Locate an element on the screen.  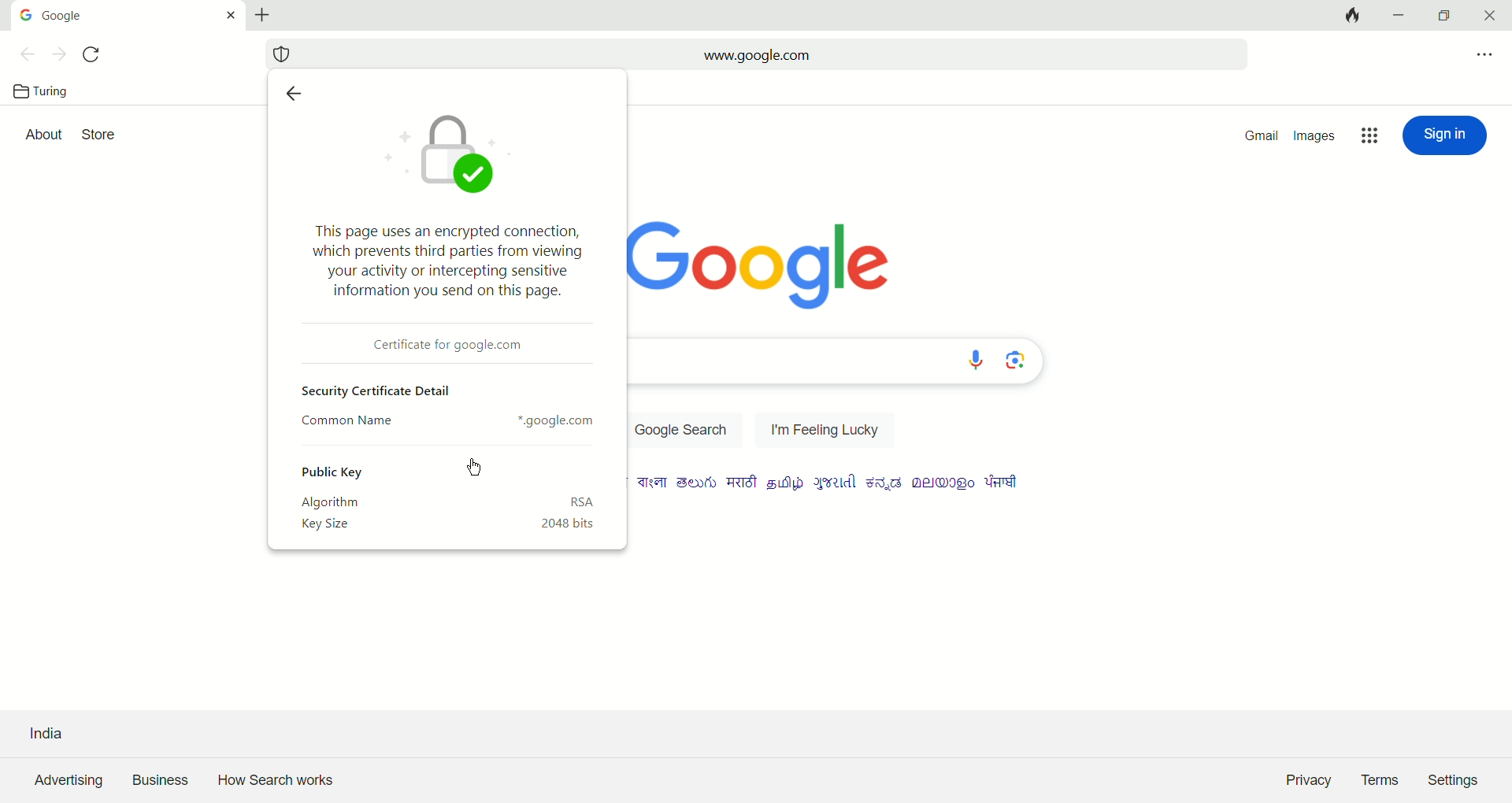
business is located at coordinates (158, 779).